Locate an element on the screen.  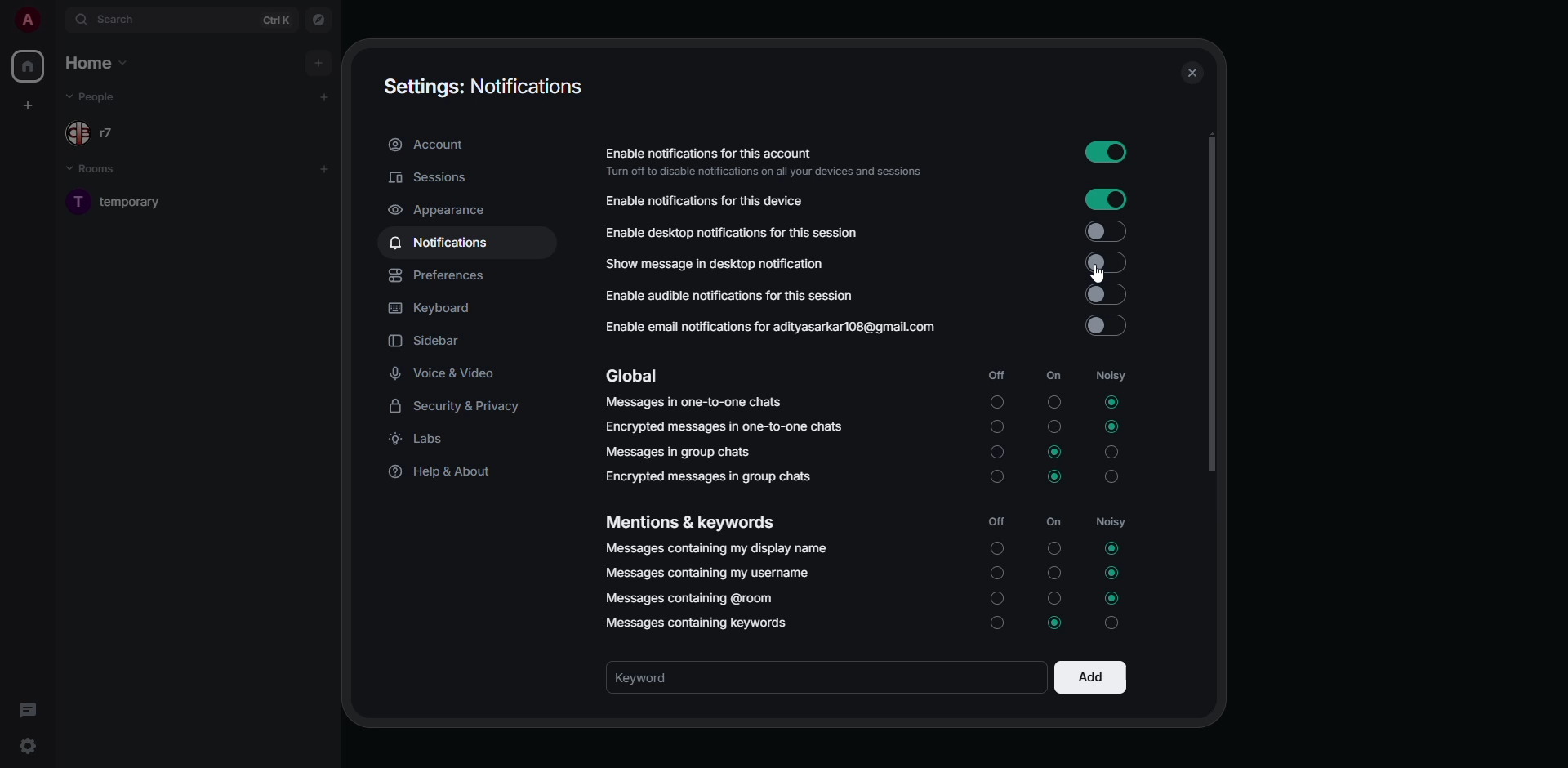
off is located at coordinates (997, 522).